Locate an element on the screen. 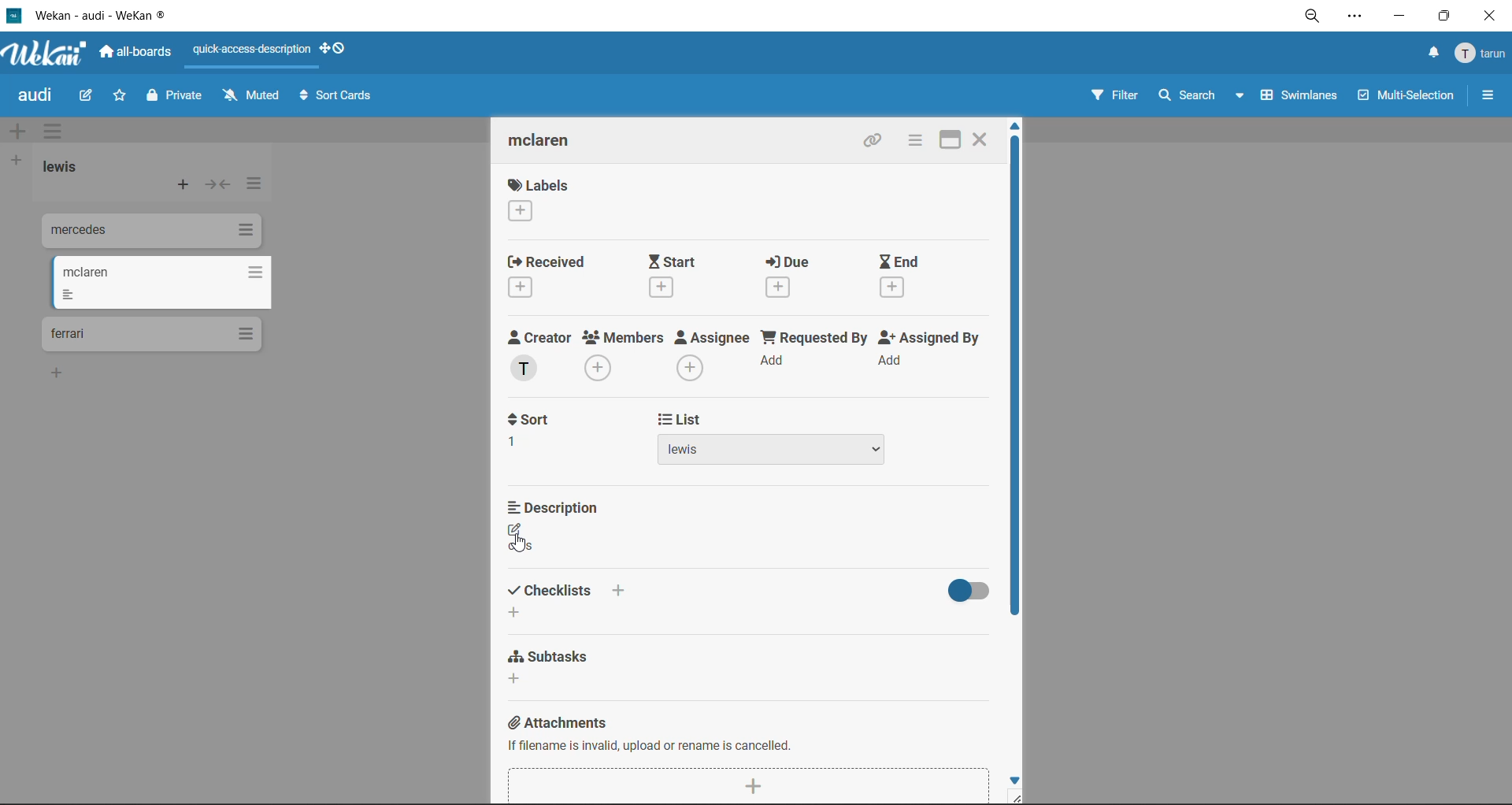 The height and width of the screenshot is (805, 1512). settings is located at coordinates (1354, 18).